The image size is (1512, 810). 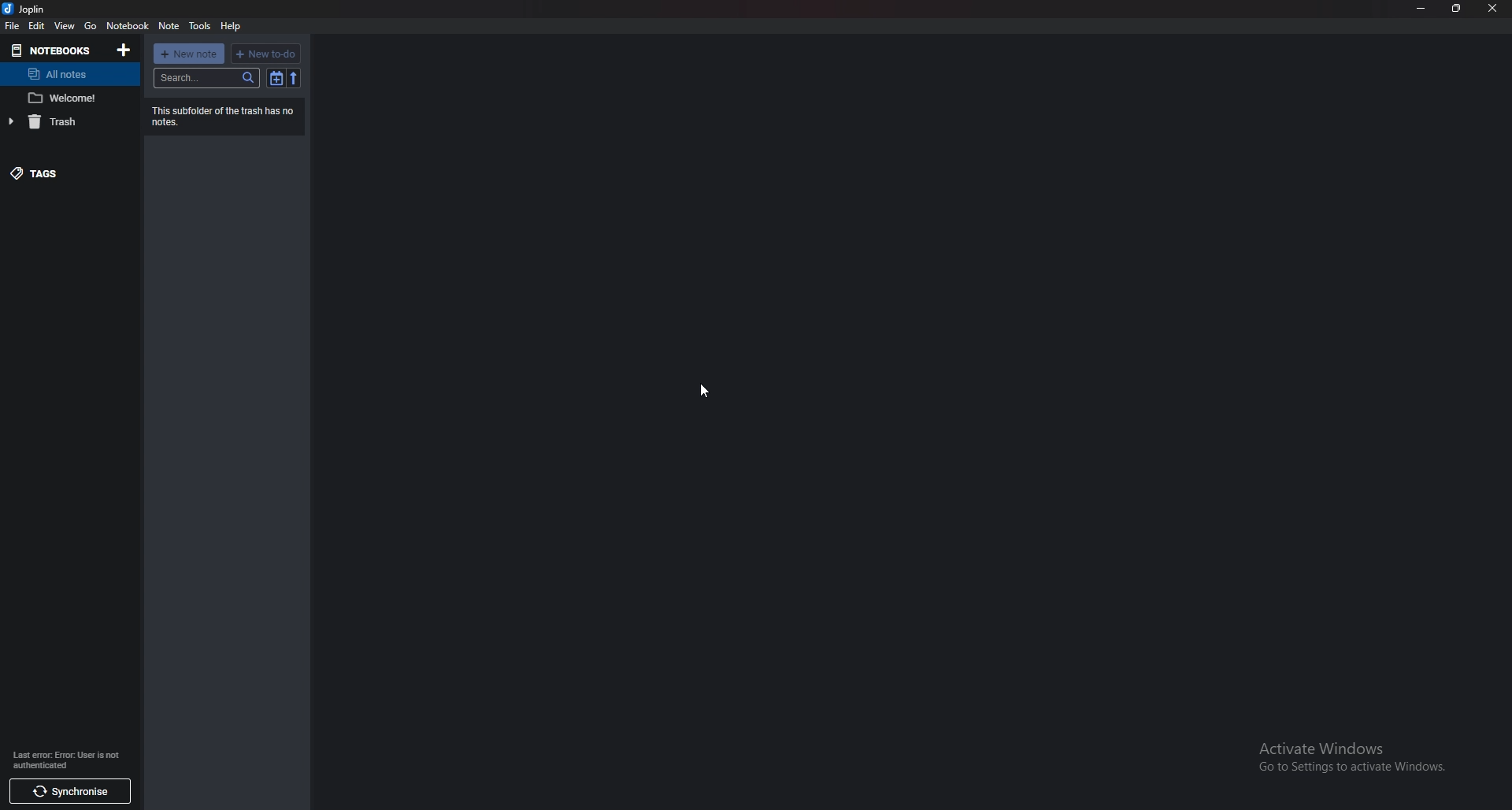 I want to click on All notes, so click(x=67, y=74).